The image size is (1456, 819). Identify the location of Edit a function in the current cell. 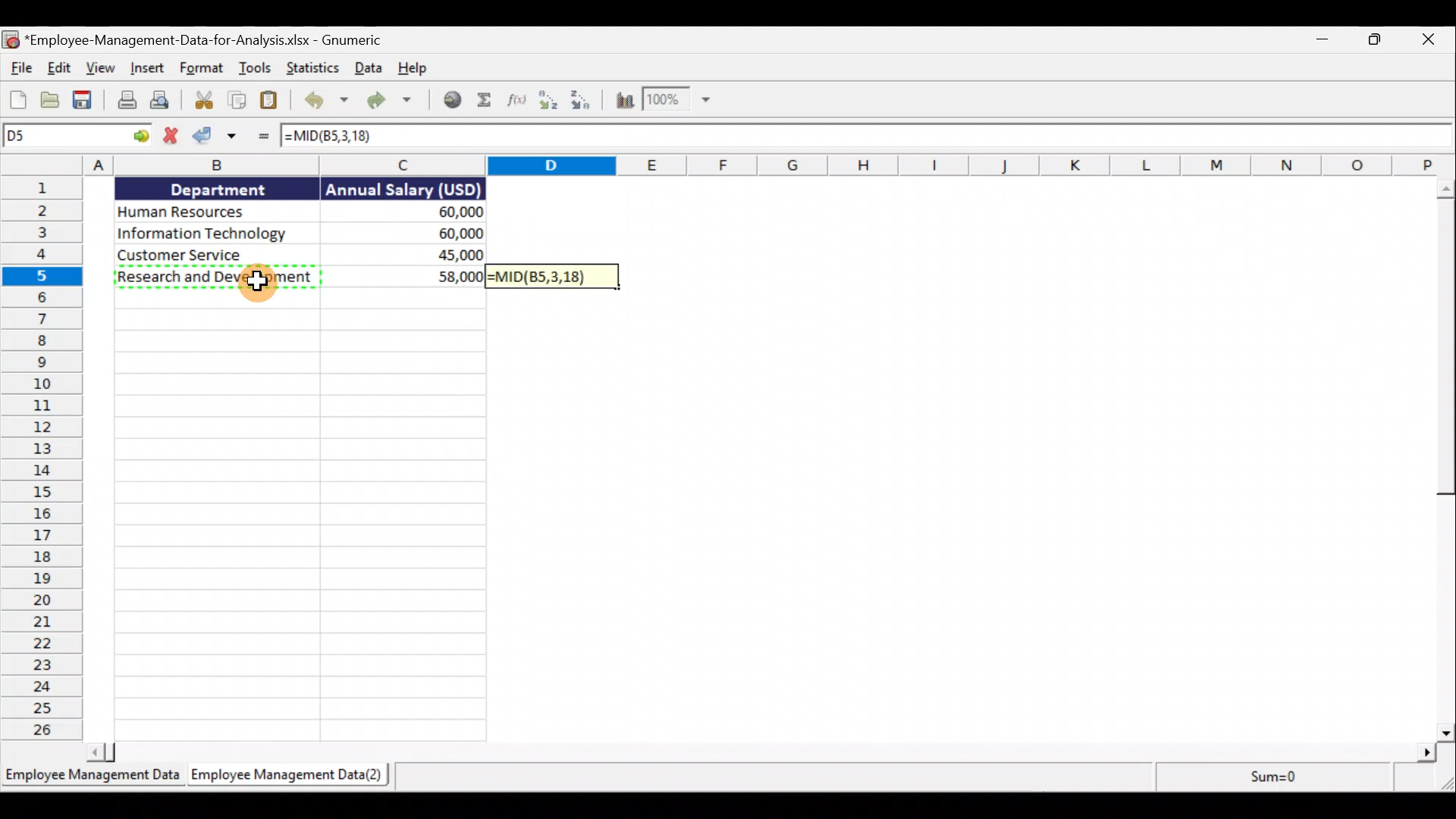
(517, 102).